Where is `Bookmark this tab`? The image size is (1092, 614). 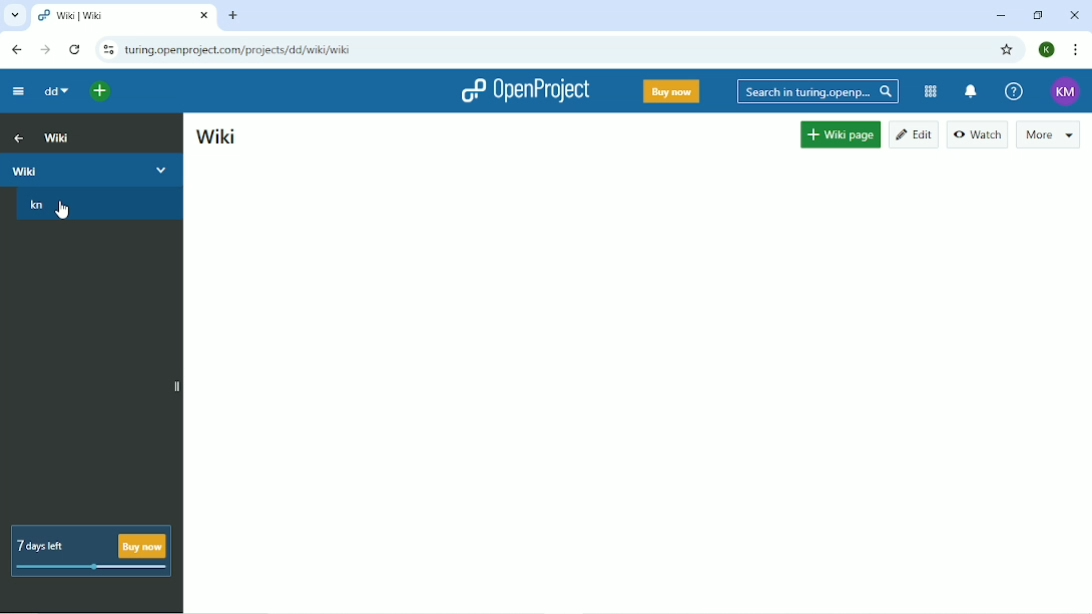 Bookmark this tab is located at coordinates (1007, 50).